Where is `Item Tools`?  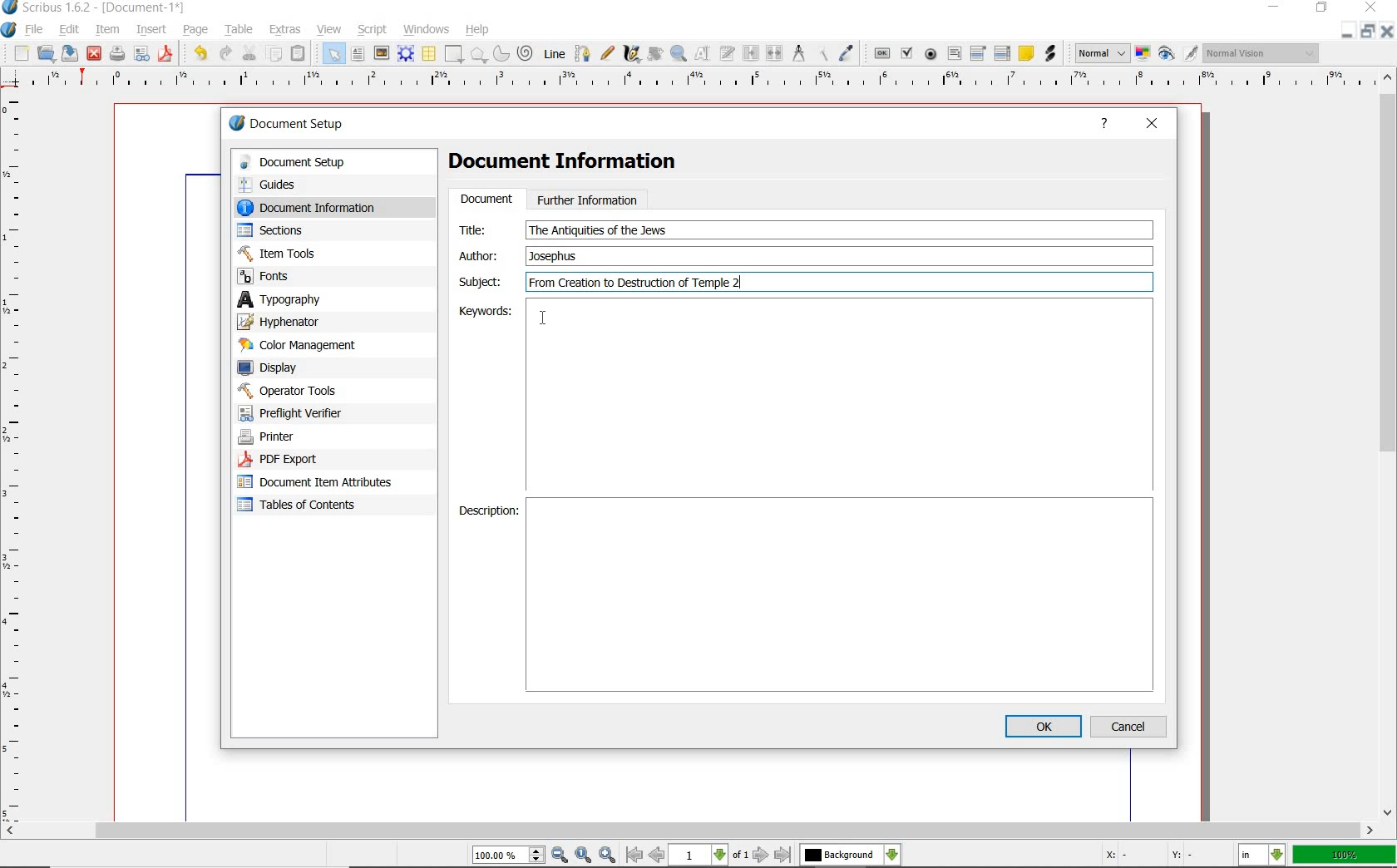
Item Tools is located at coordinates (315, 253).